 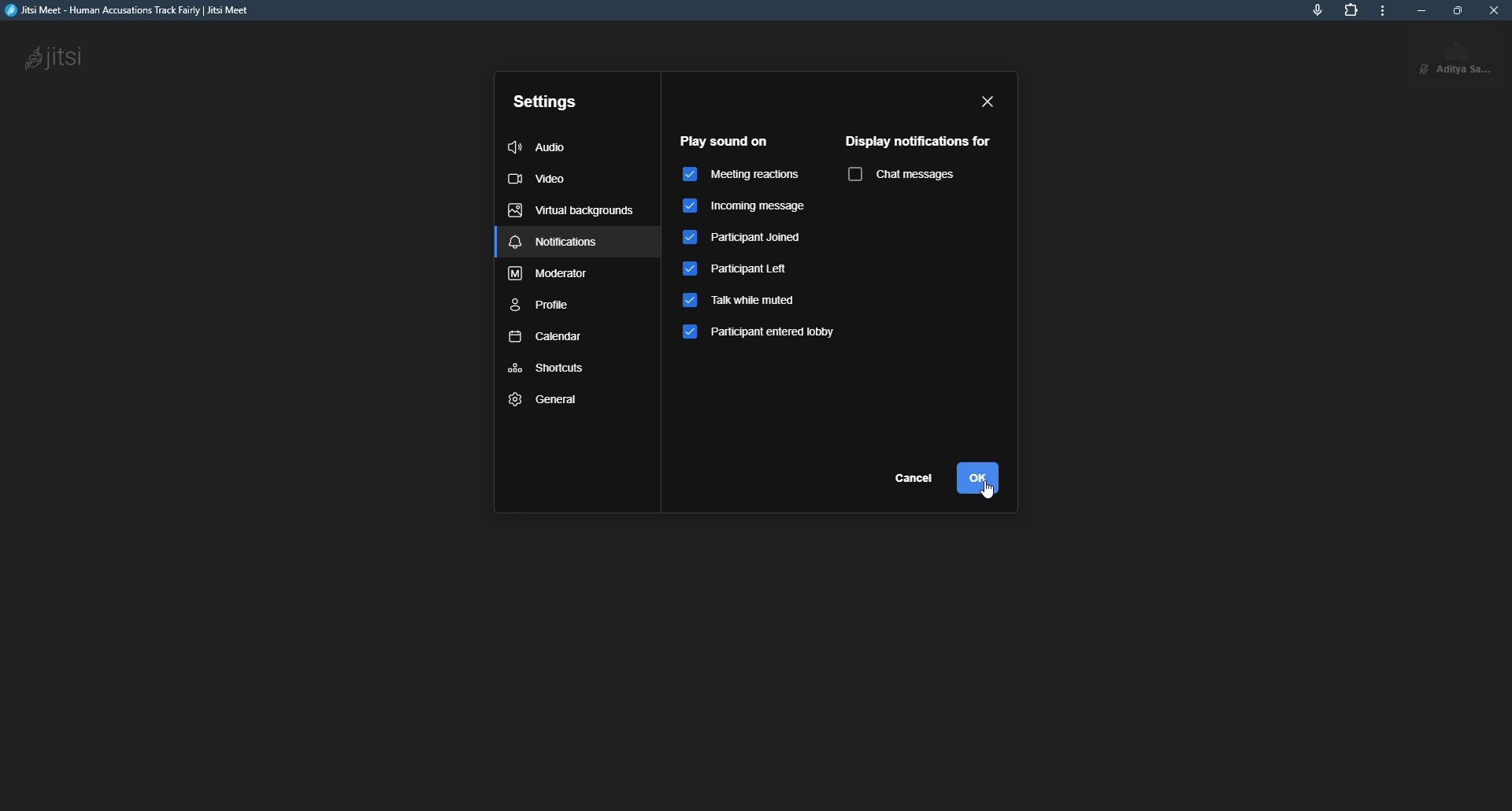 What do you see at coordinates (989, 102) in the screenshot?
I see `close` at bounding box center [989, 102].